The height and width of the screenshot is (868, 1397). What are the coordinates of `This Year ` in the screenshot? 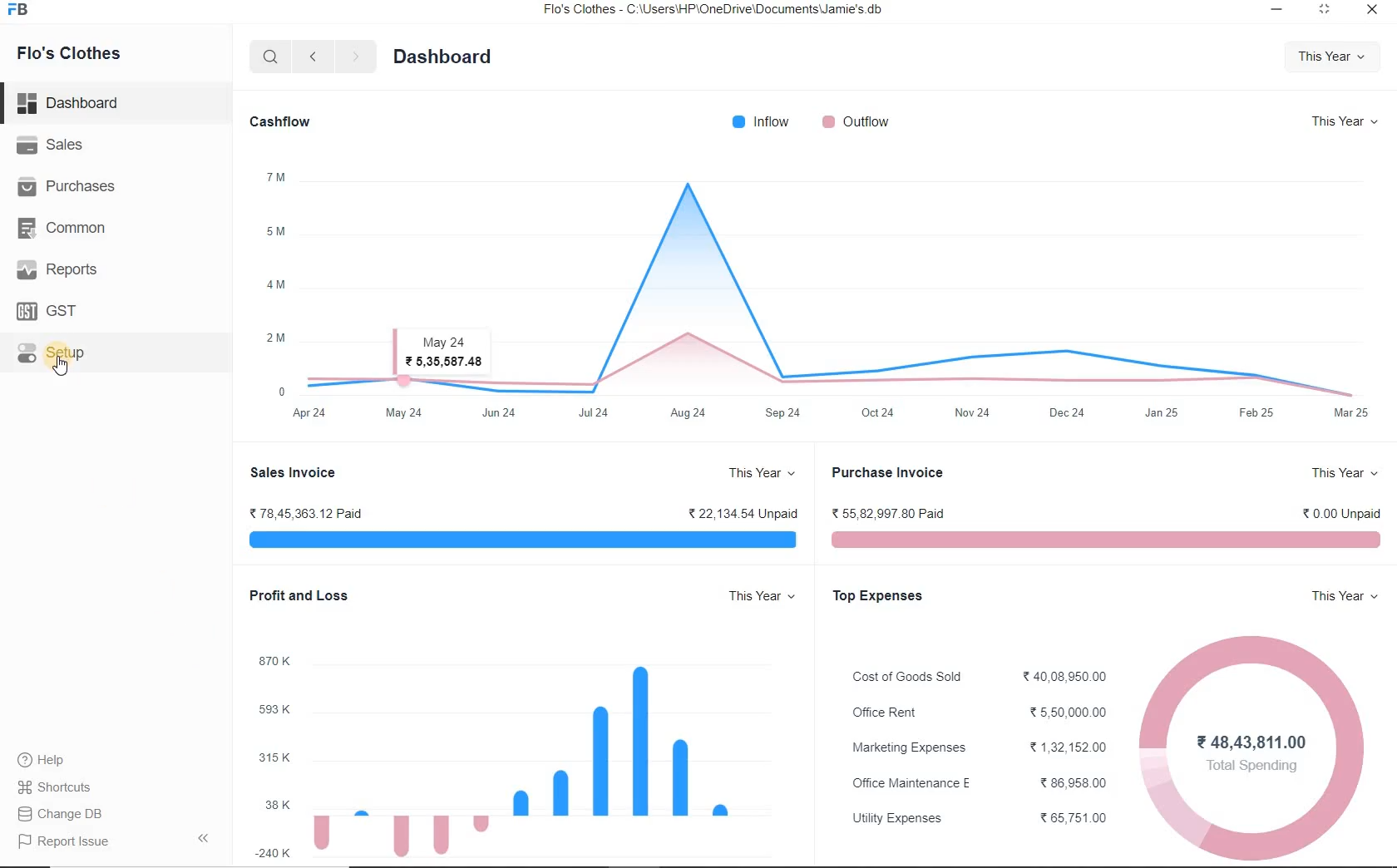 It's located at (1344, 475).